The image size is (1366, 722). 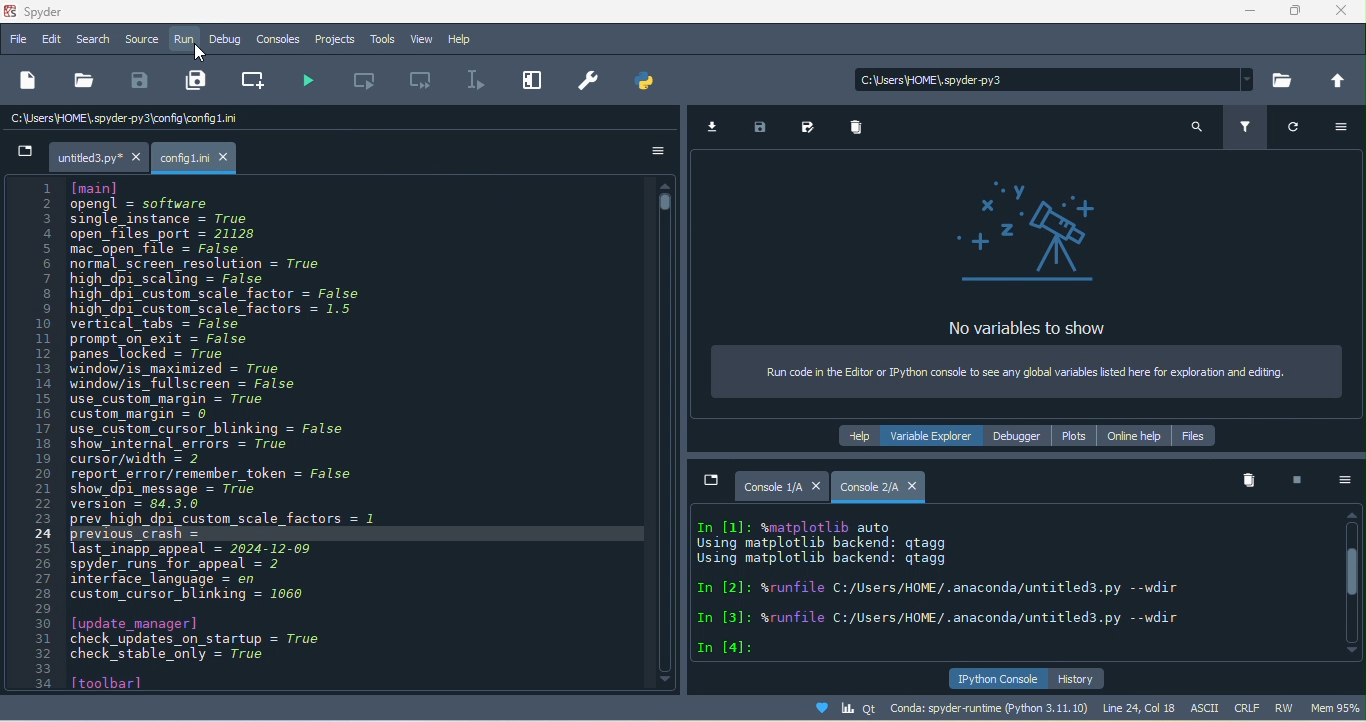 What do you see at coordinates (1192, 435) in the screenshot?
I see `files` at bounding box center [1192, 435].